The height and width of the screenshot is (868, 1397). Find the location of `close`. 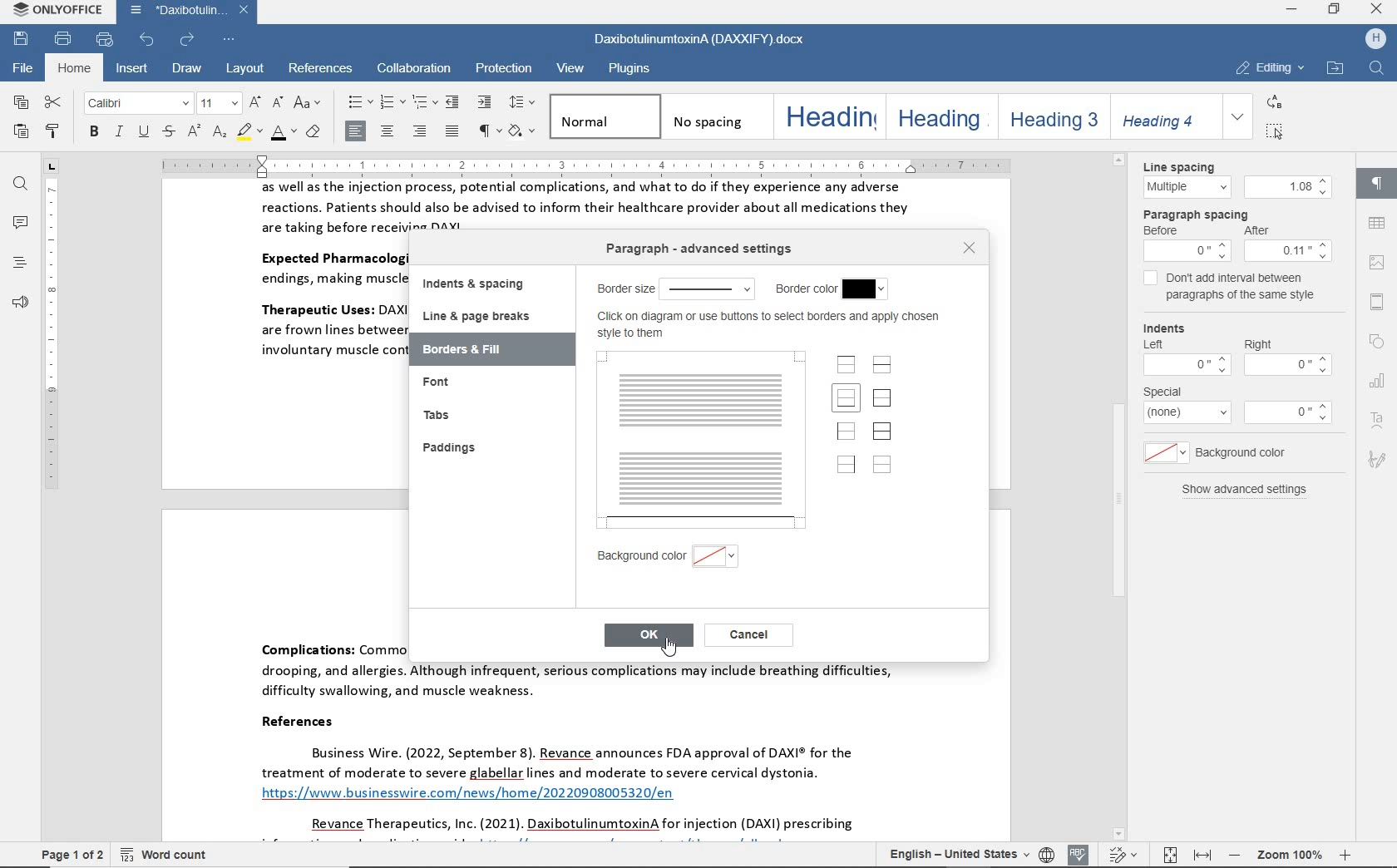

close is located at coordinates (1378, 9).